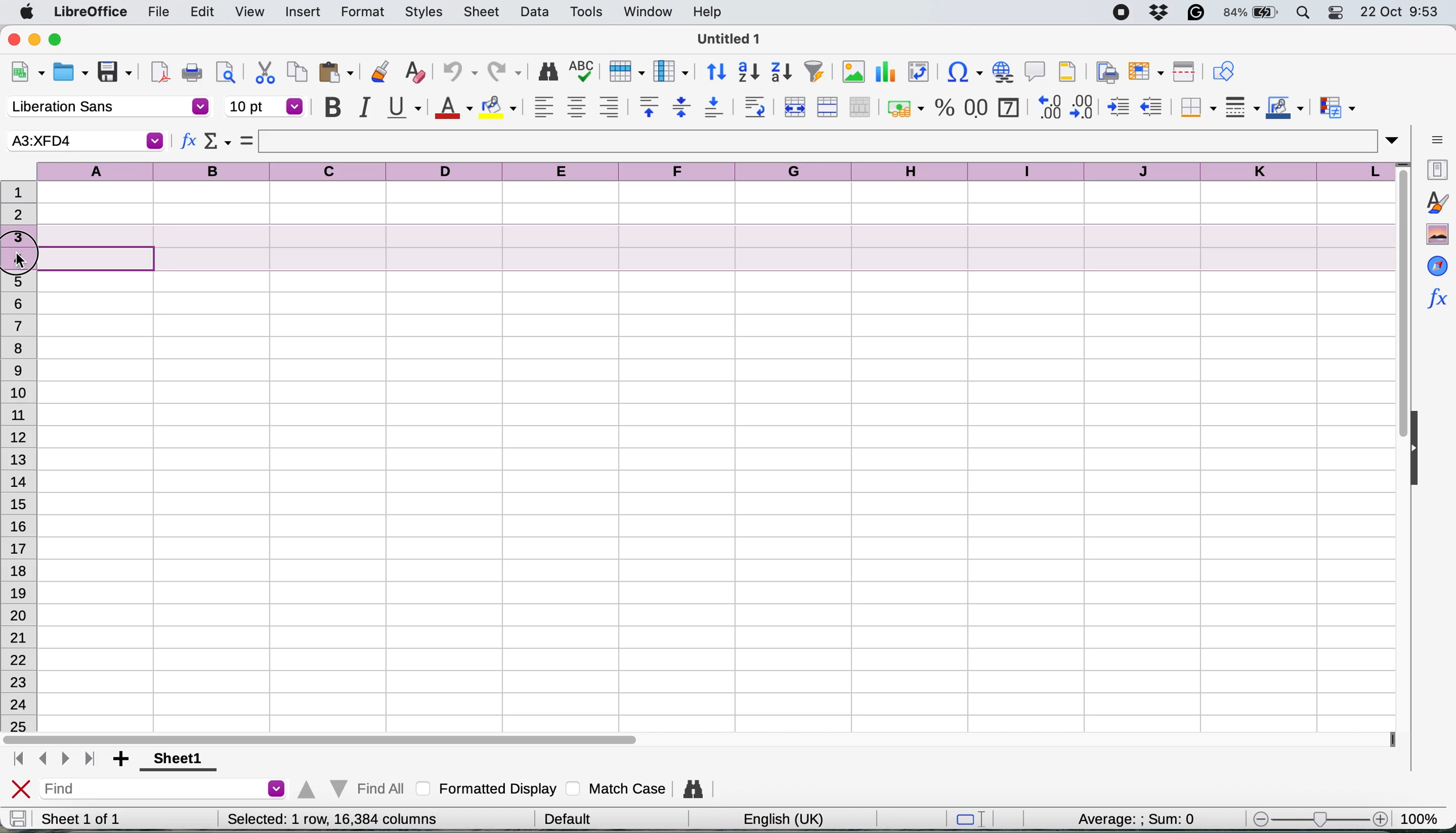 Image resolution: width=1456 pixels, height=833 pixels. Describe the element at coordinates (192, 73) in the screenshot. I see `print` at that location.